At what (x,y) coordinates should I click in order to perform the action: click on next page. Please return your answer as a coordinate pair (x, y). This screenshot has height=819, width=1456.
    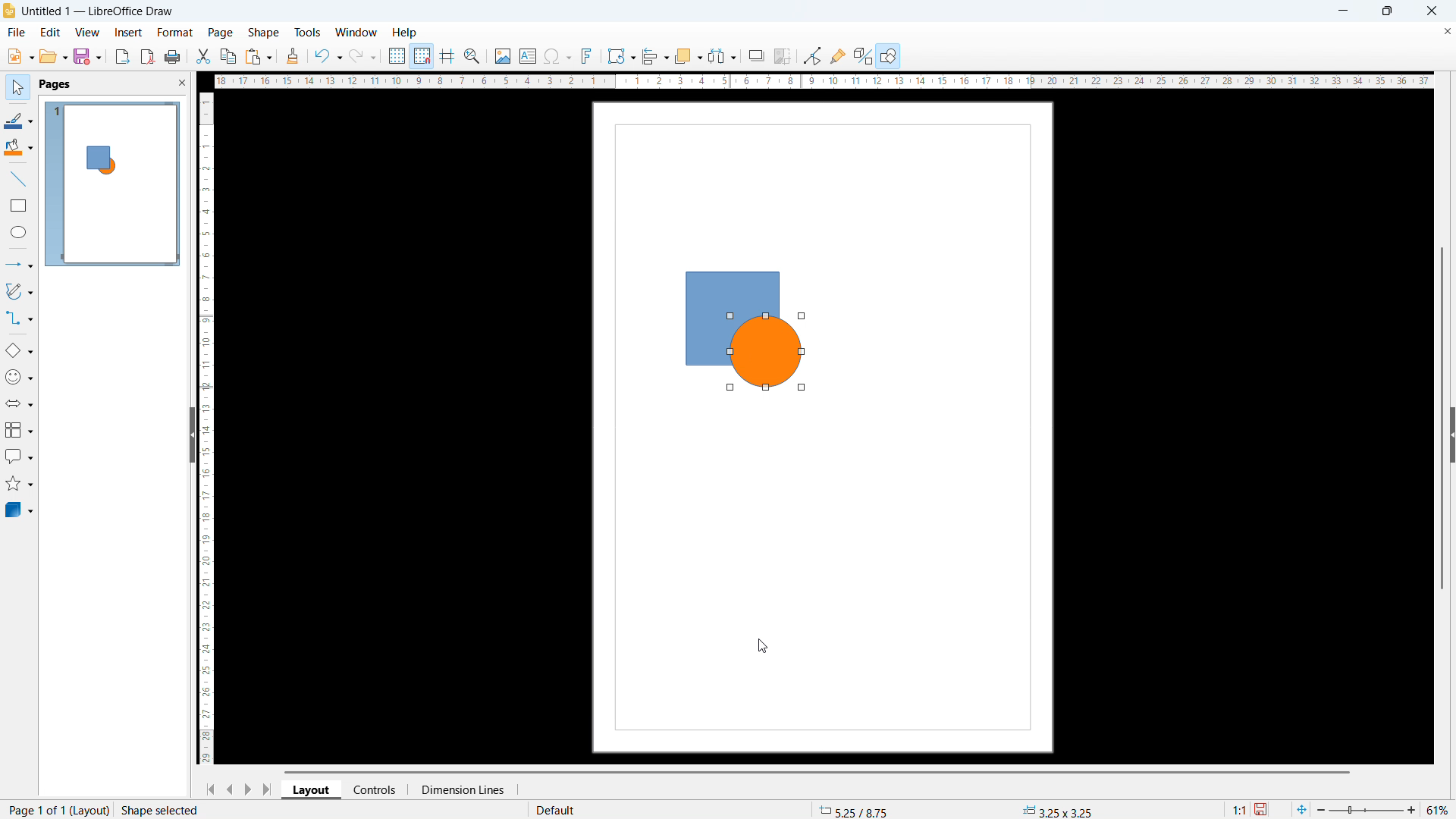
    Looking at the image, I should click on (247, 789).